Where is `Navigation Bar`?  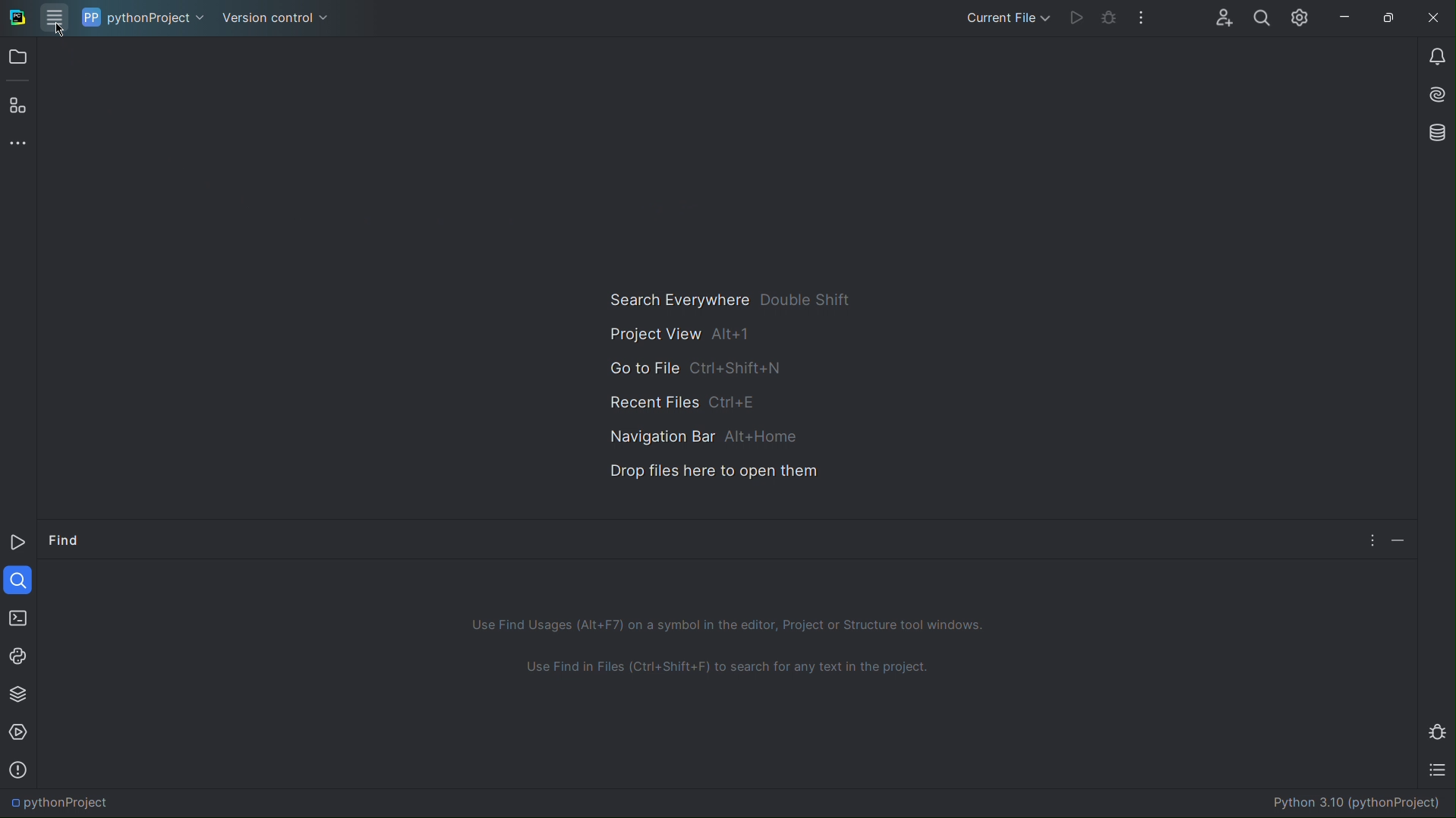
Navigation Bar is located at coordinates (691, 434).